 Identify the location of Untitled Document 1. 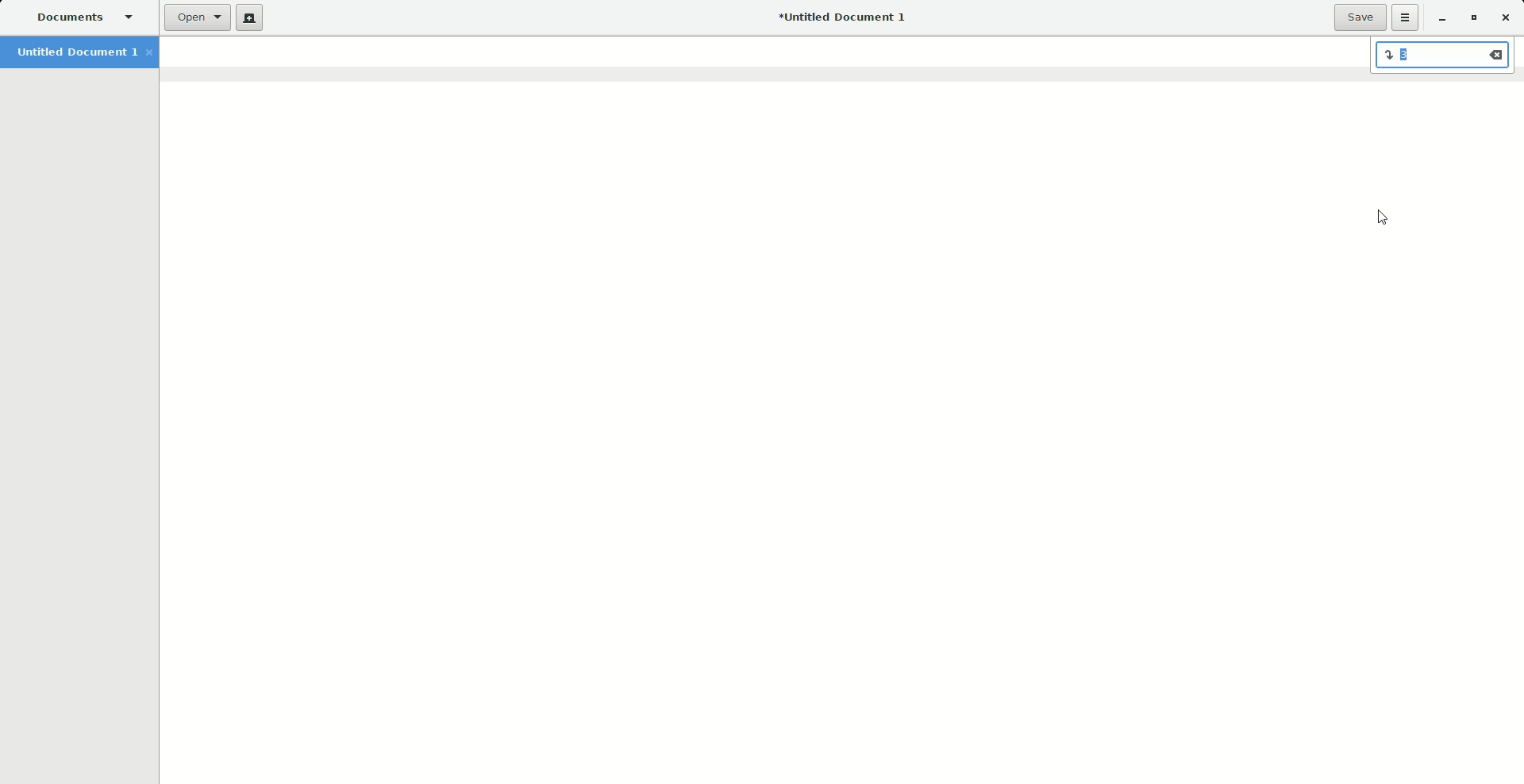
(84, 54).